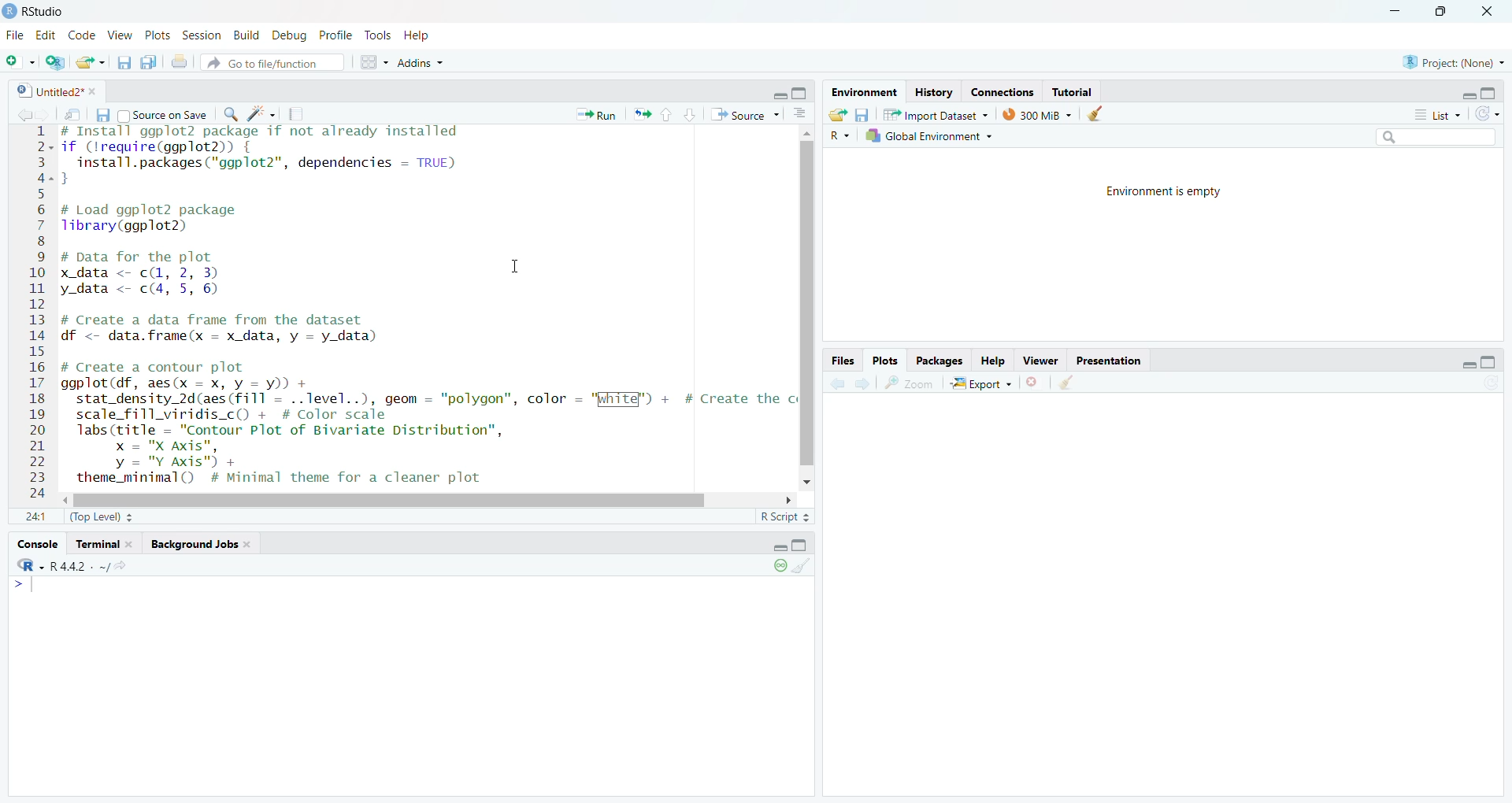 Image resolution: width=1512 pixels, height=803 pixels. Describe the element at coordinates (102, 115) in the screenshot. I see `save` at that location.